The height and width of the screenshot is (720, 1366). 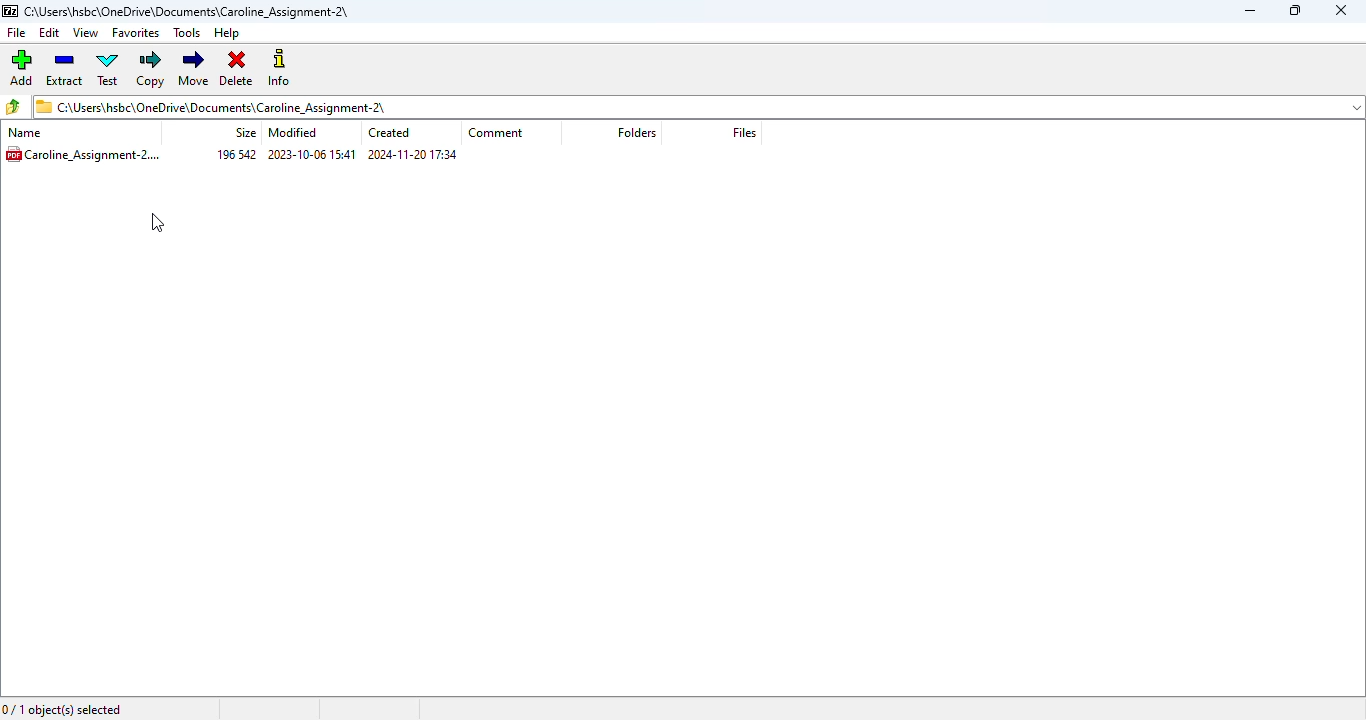 I want to click on Comment, so click(x=501, y=132).